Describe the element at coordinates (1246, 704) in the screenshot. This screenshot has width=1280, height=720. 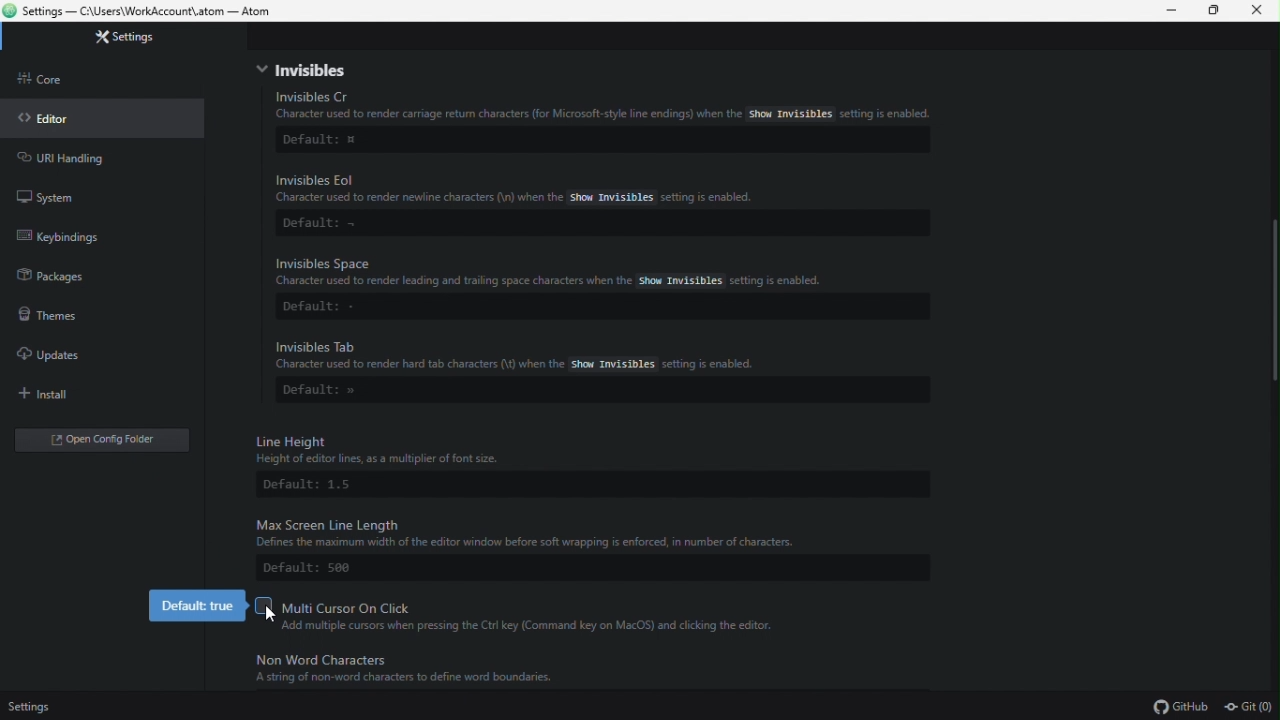
I see `git` at that location.